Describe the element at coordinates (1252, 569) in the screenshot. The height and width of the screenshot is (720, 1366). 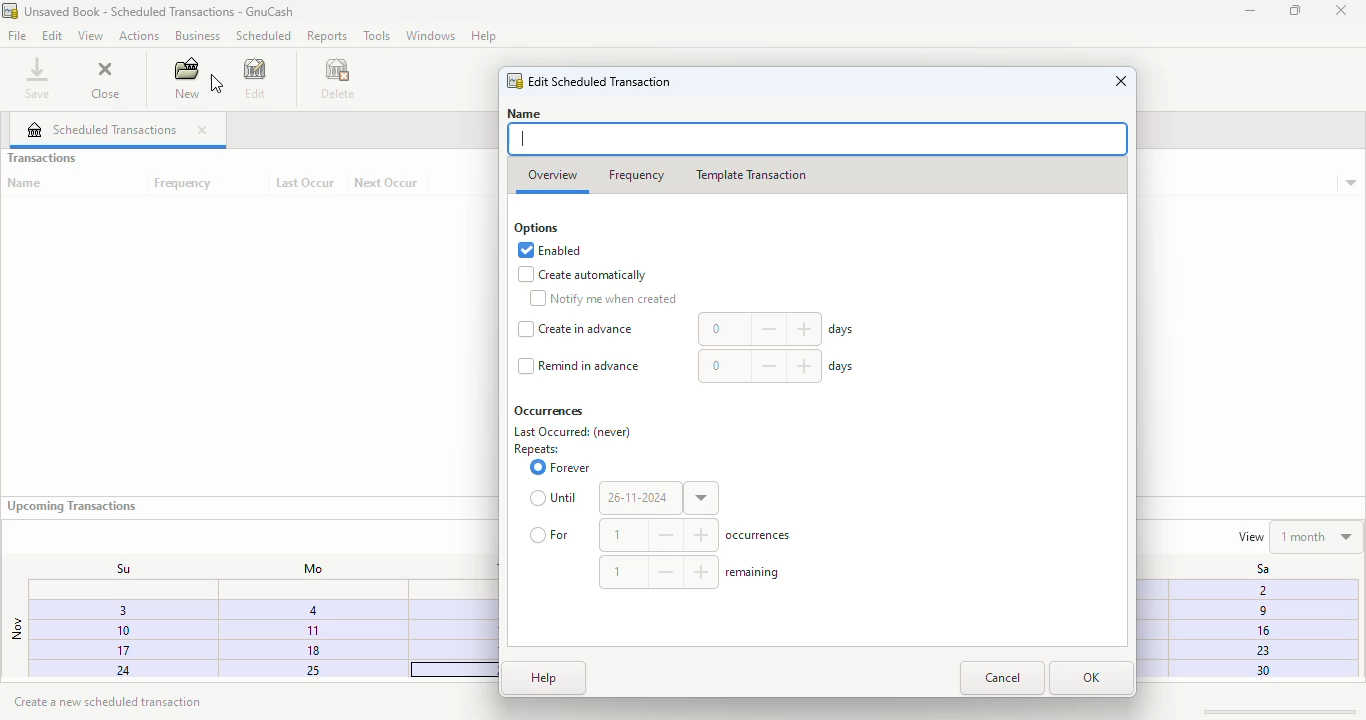
I see `Sa` at that location.